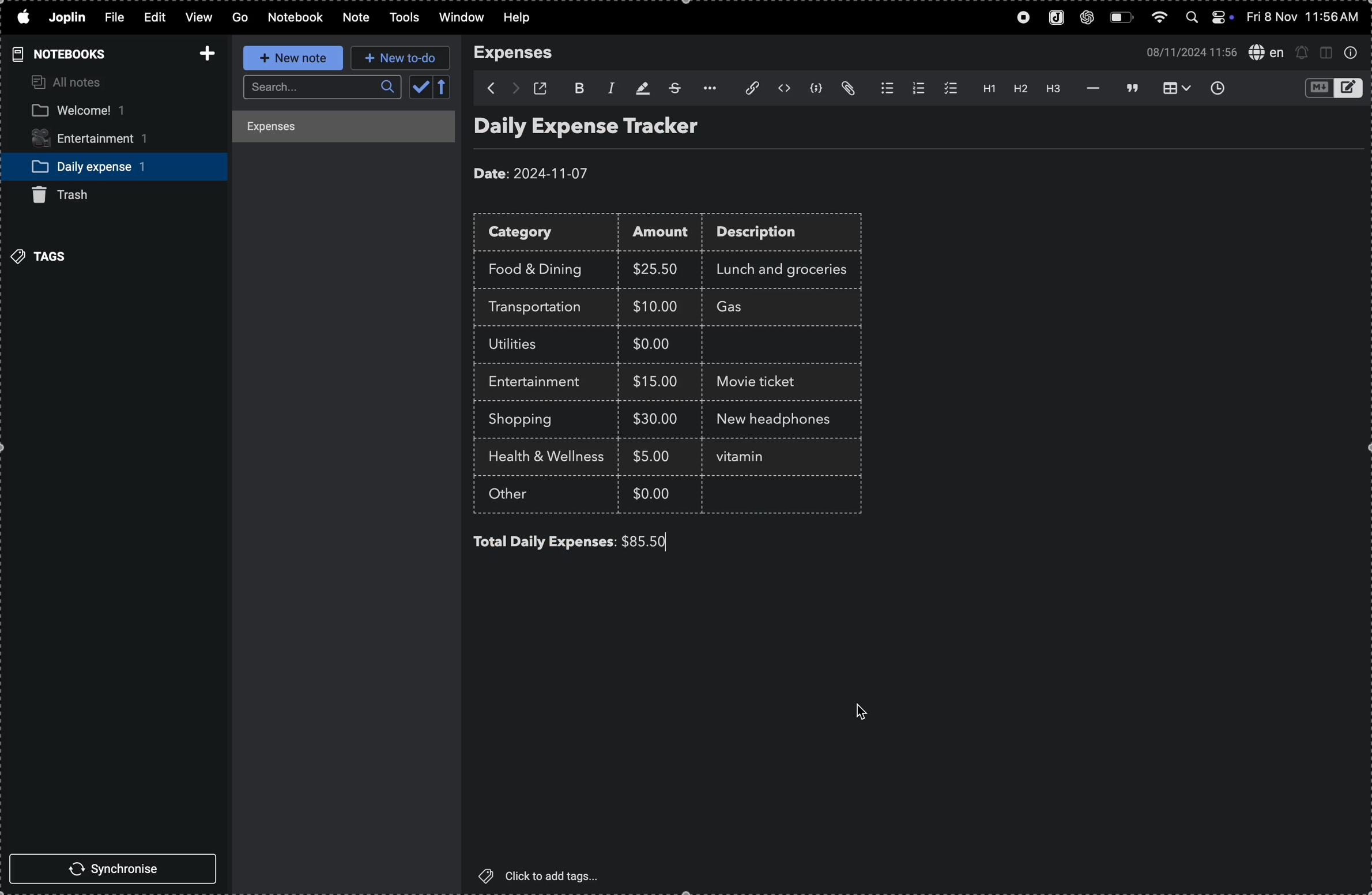 The image size is (1372, 895). Describe the element at coordinates (751, 308) in the screenshot. I see `Gas` at that location.